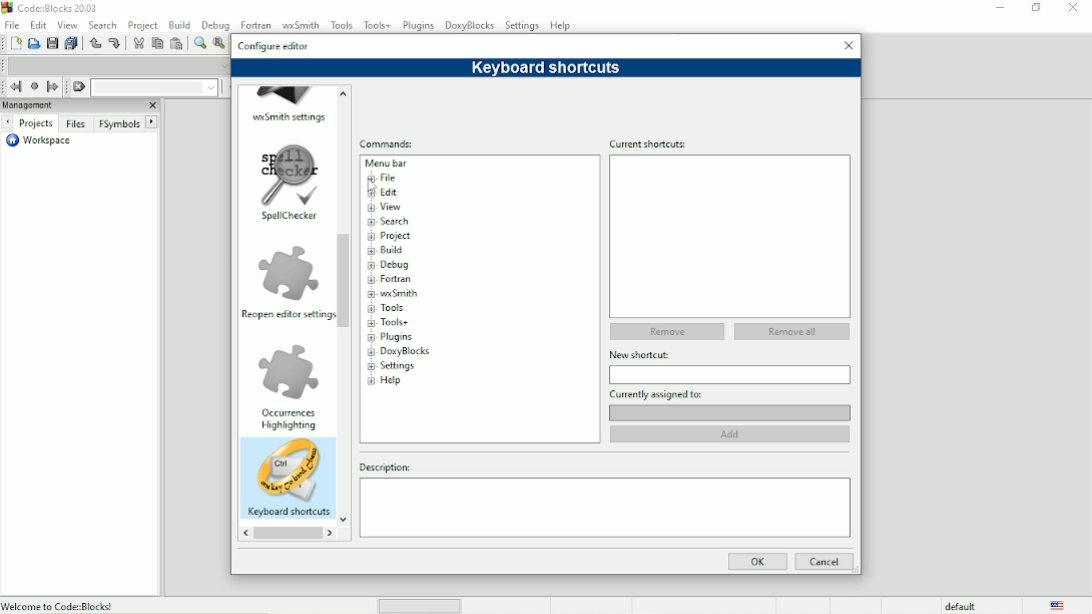 The height and width of the screenshot is (614, 1092). I want to click on Plugins, so click(397, 337).